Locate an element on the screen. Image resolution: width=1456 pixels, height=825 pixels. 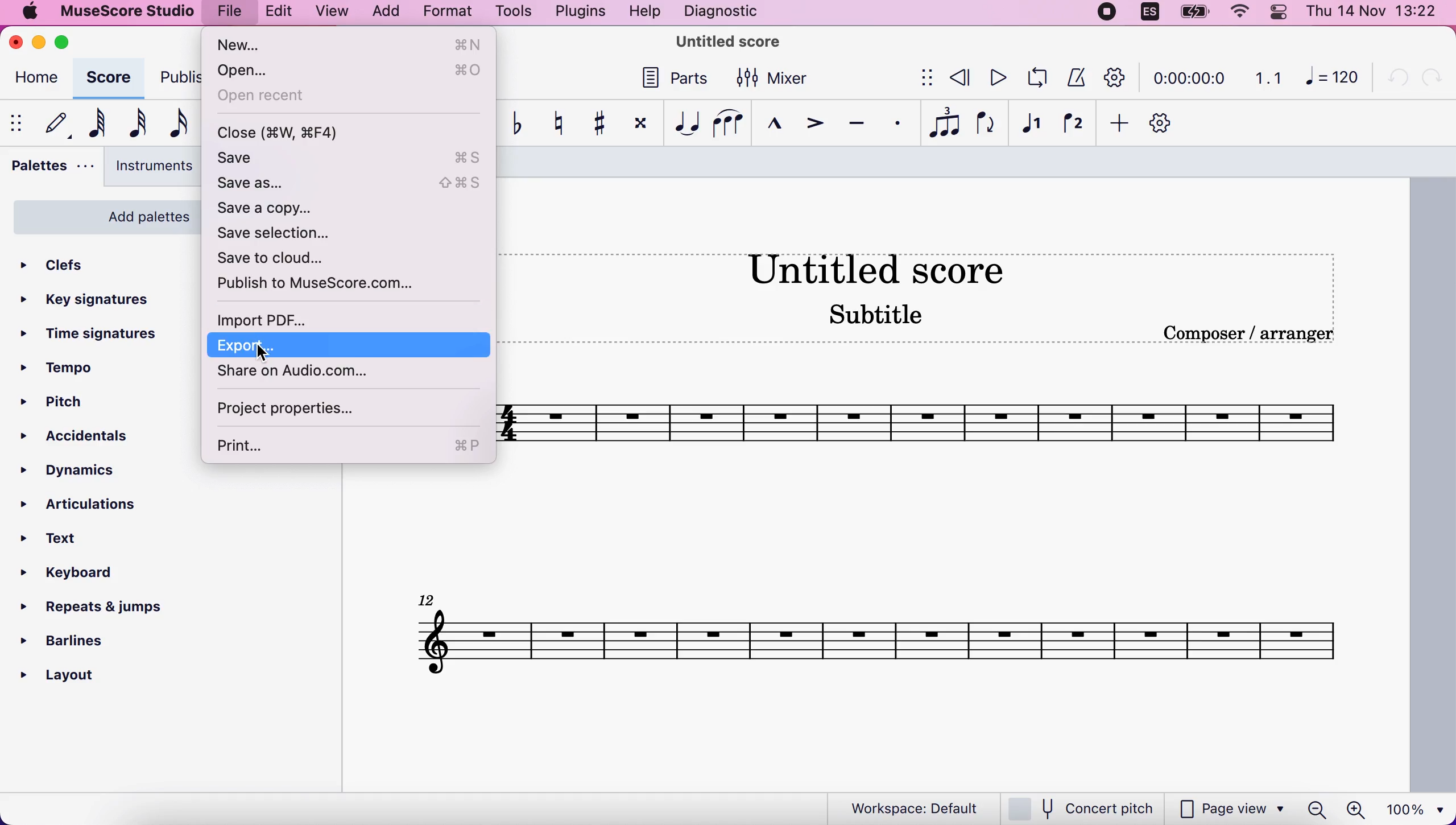
panel control is located at coordinates (1280, 14).